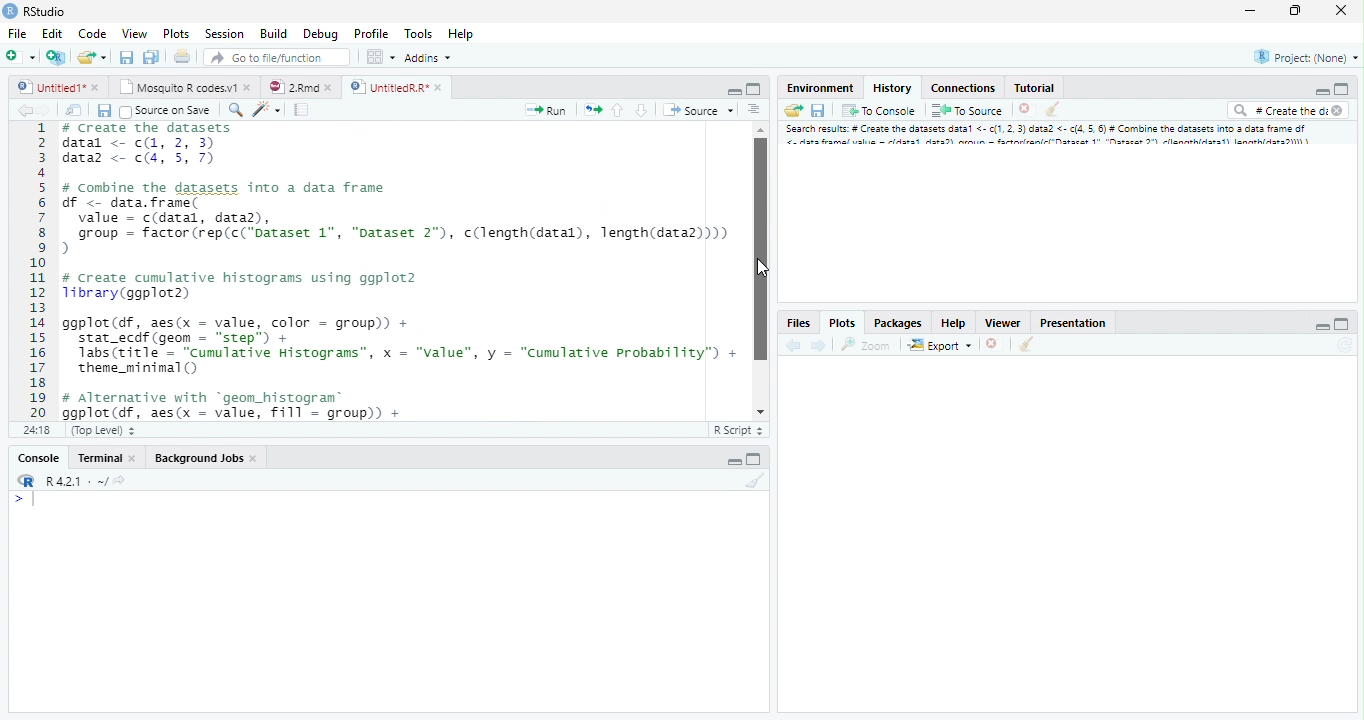 The height and width of the screenshot is (720, 1364). What do you see at coordinates (107, 457) in the screenshot?
I see `Terminal` at bounding box center [107, 457].